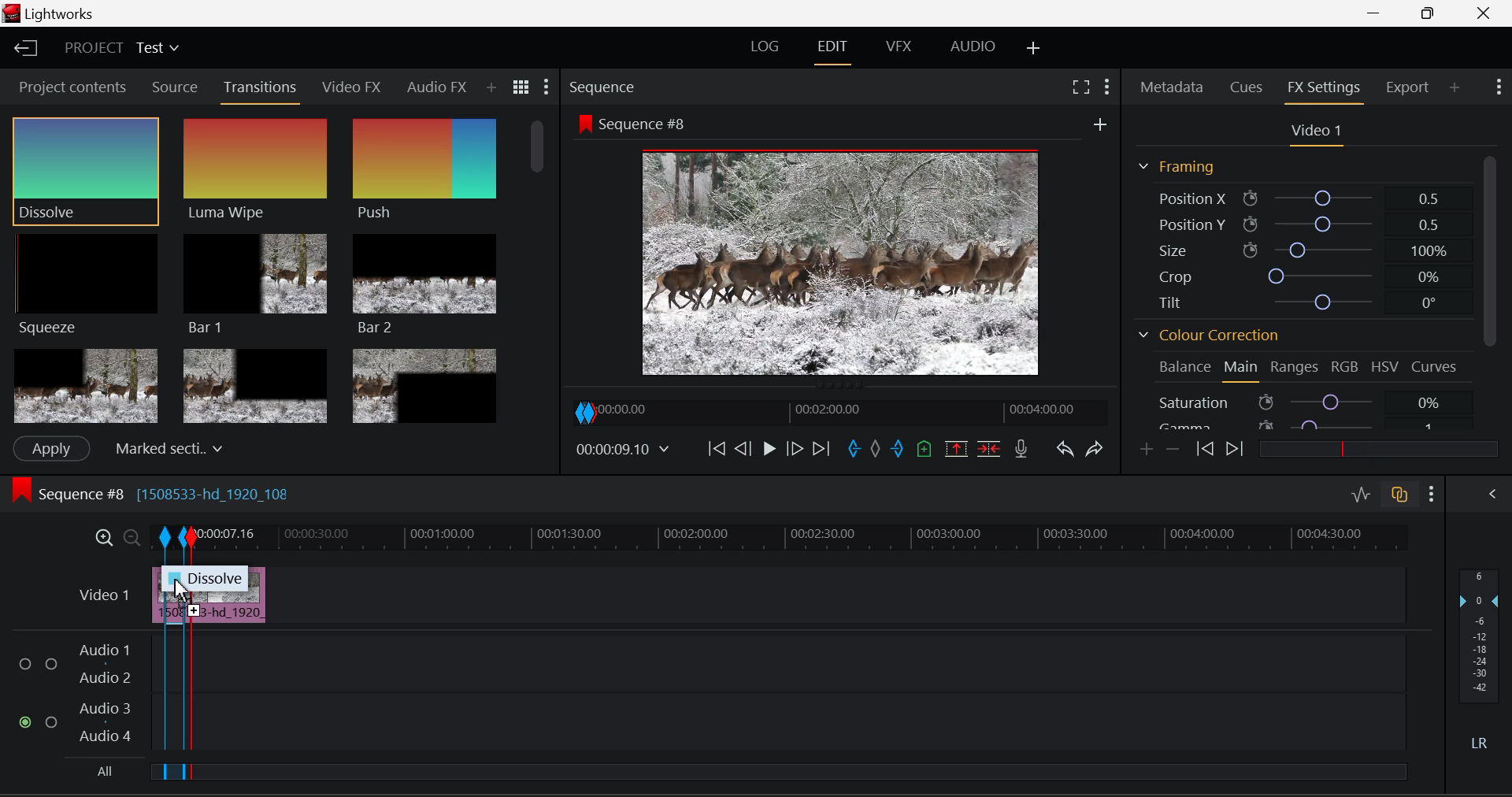 The image size is (1512, 797). What do you see at coordinates (1327, 89) in the screenshot?
I see `FX Settings Open` at bounding box center [1327, 89].